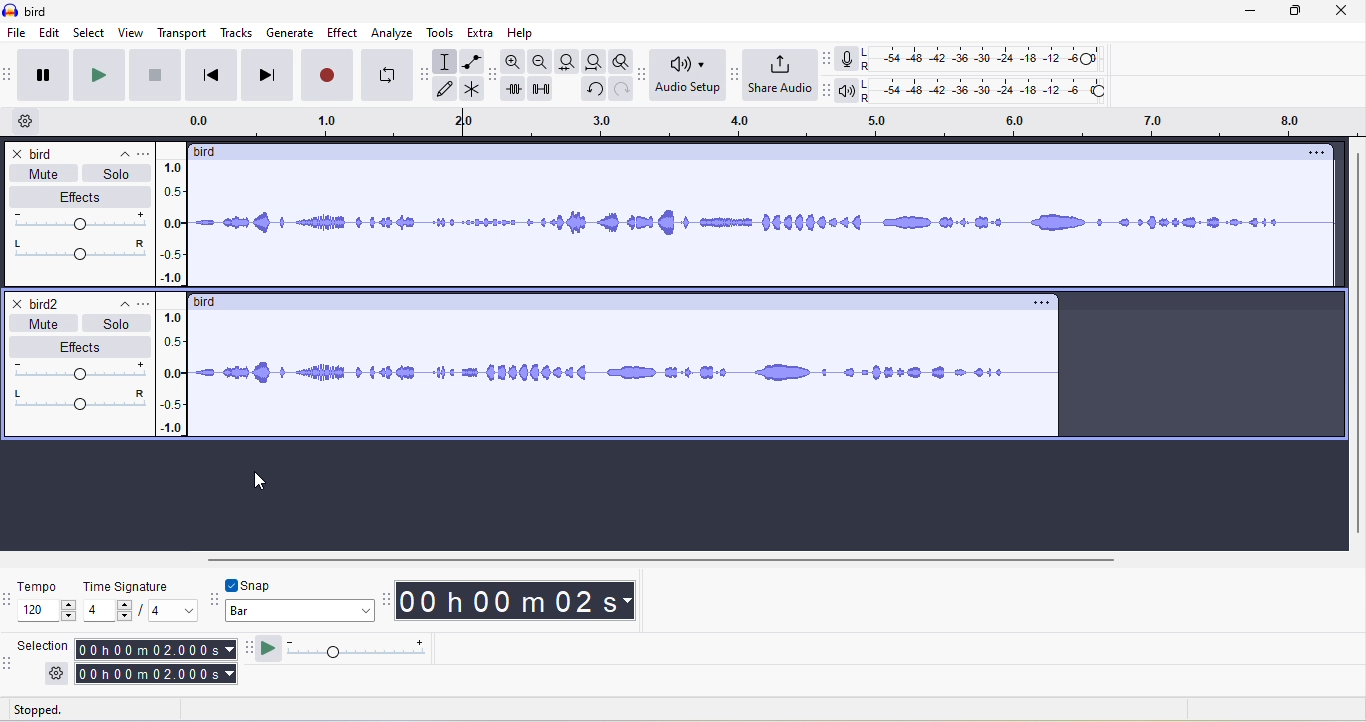 The image size is (1366, 722). What do you see at coordinates (112, 152) in the screenshot?
I see `collapse` at bounding box center [112, 152].